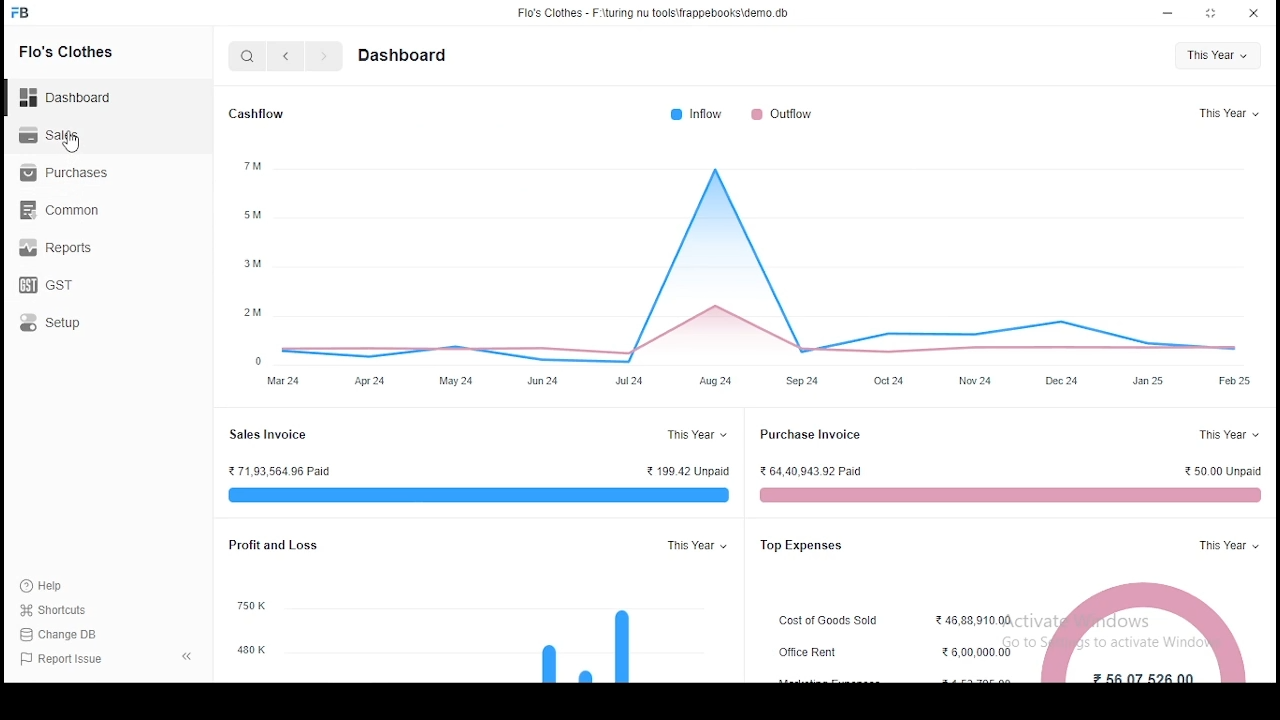 The height and width of the screenshot is (720, 1280). I want to click on This Year, so click(1225, 546).